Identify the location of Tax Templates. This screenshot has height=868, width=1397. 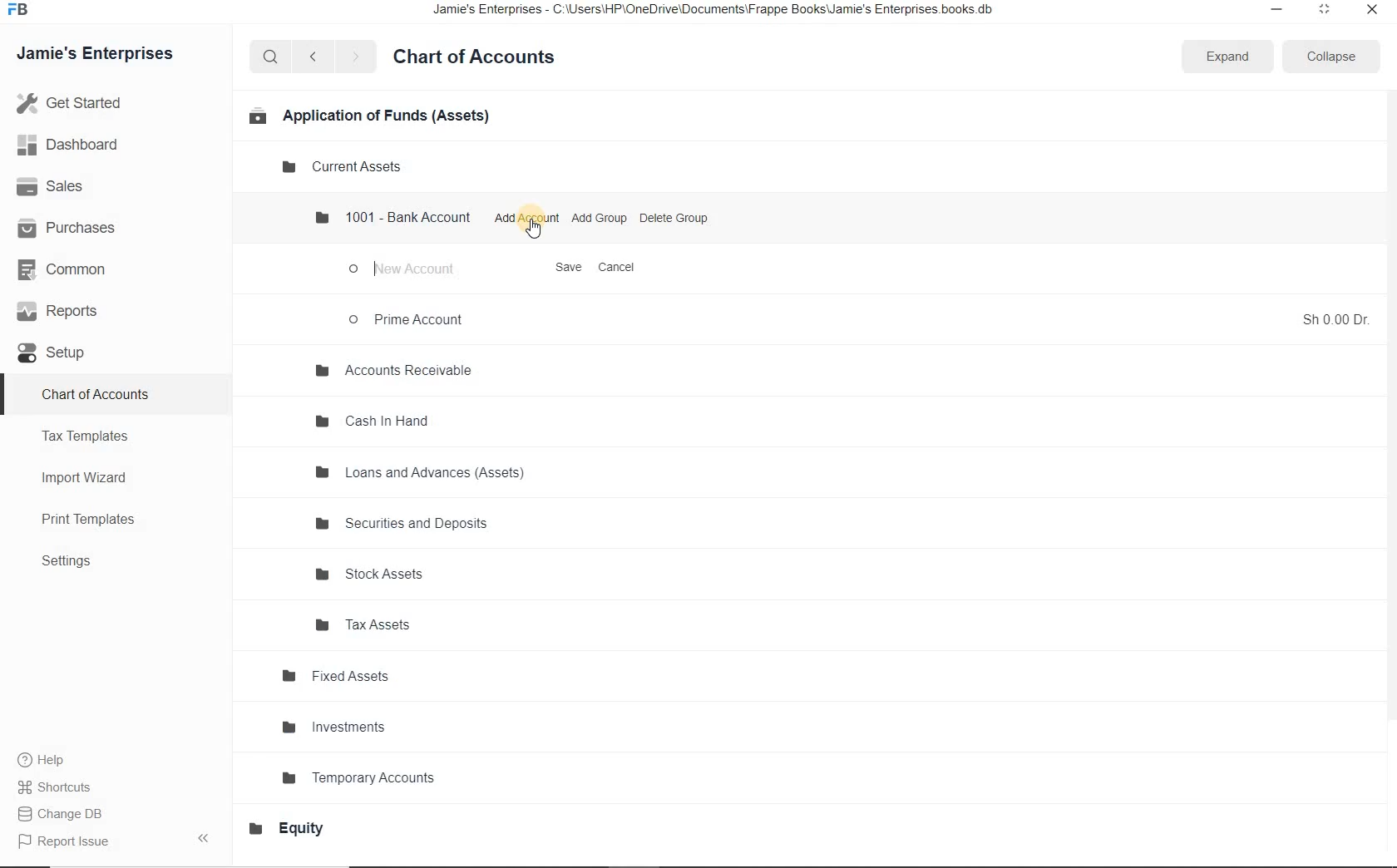
(91, 436).